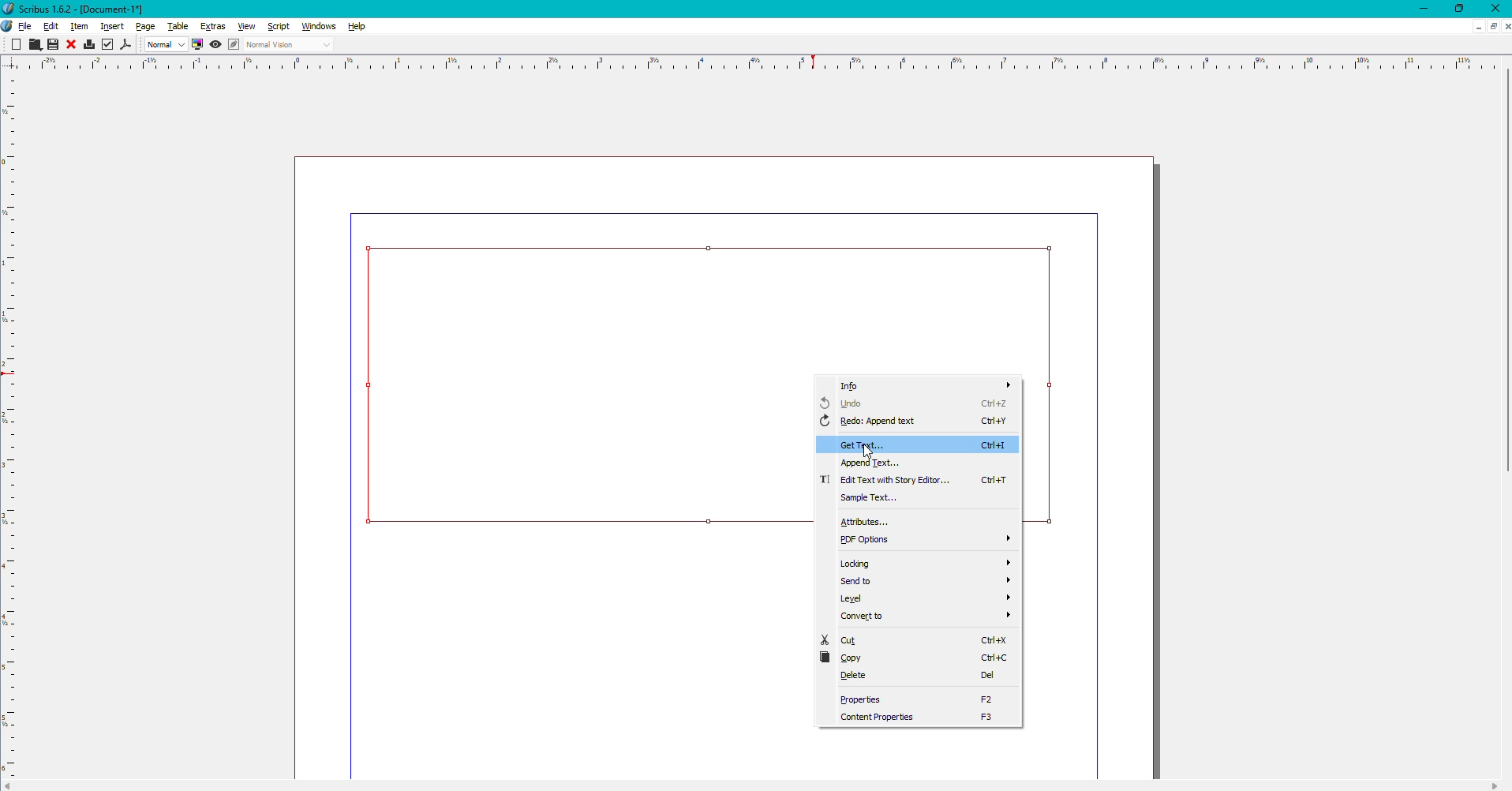 This screenshot has width=1512, height=791. I want to click on Cut, so click(918, 639).